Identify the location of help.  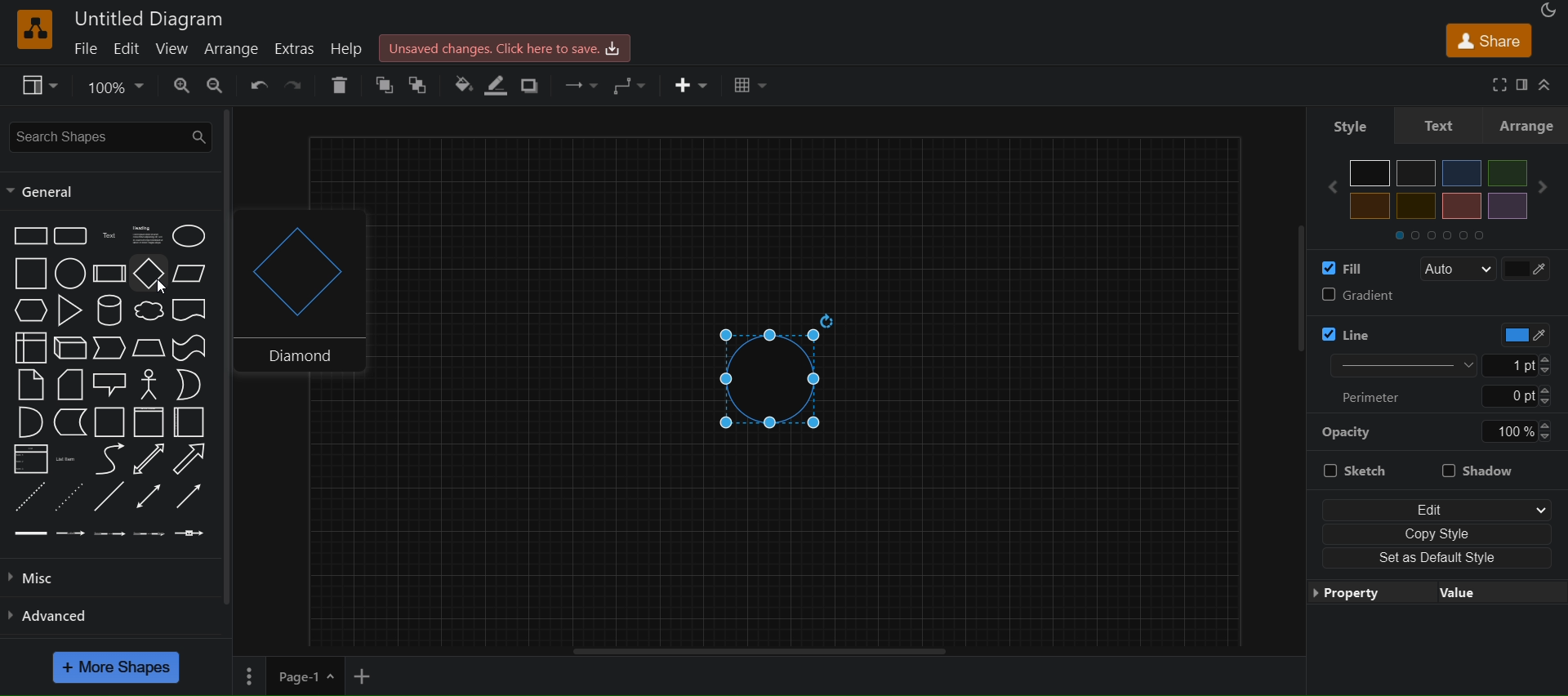
(350, 49).